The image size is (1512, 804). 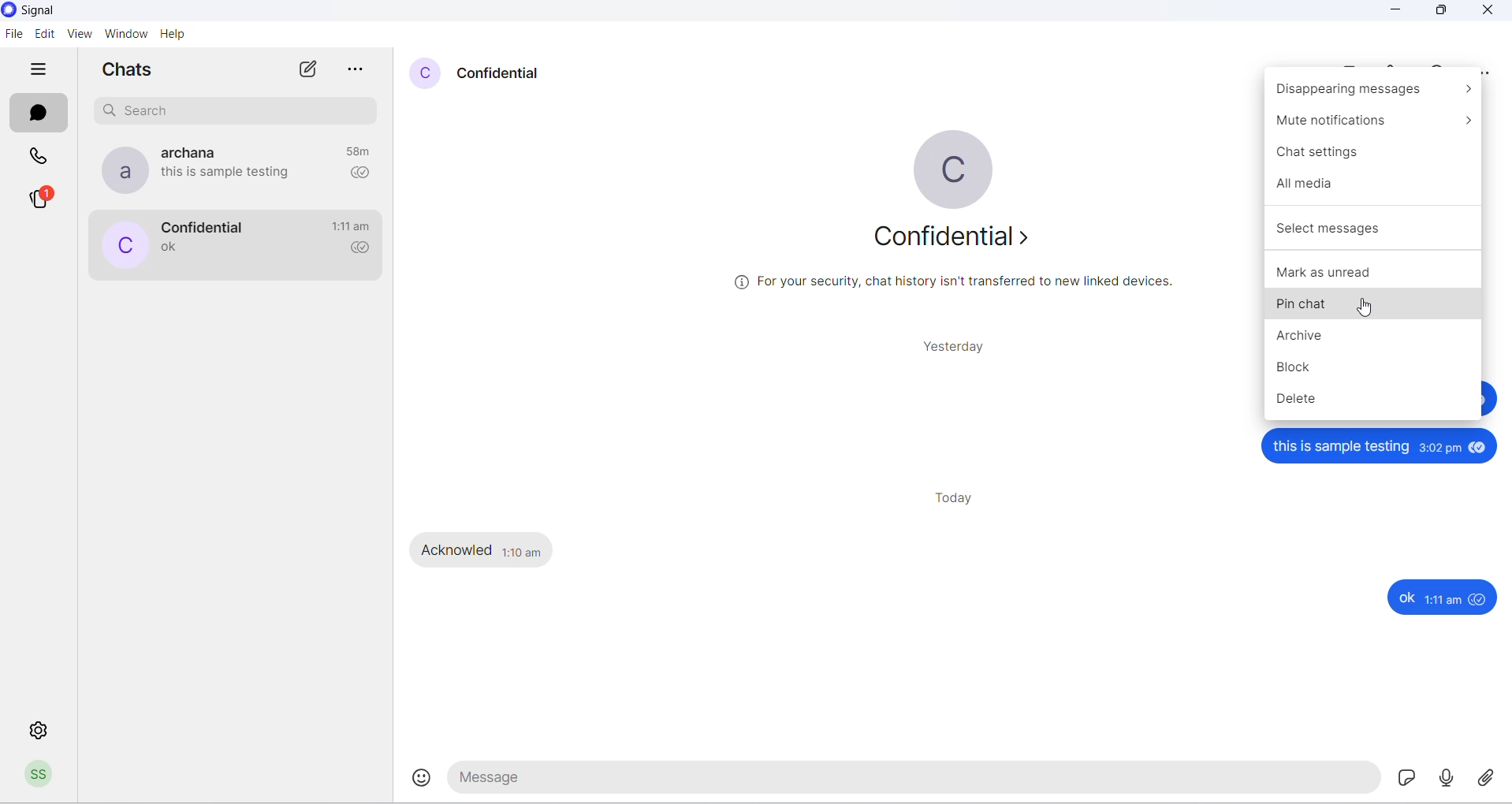 What do you see at coordinates (125, 34) in the screenshot?
I see `window` at bounding box center [125, 34].